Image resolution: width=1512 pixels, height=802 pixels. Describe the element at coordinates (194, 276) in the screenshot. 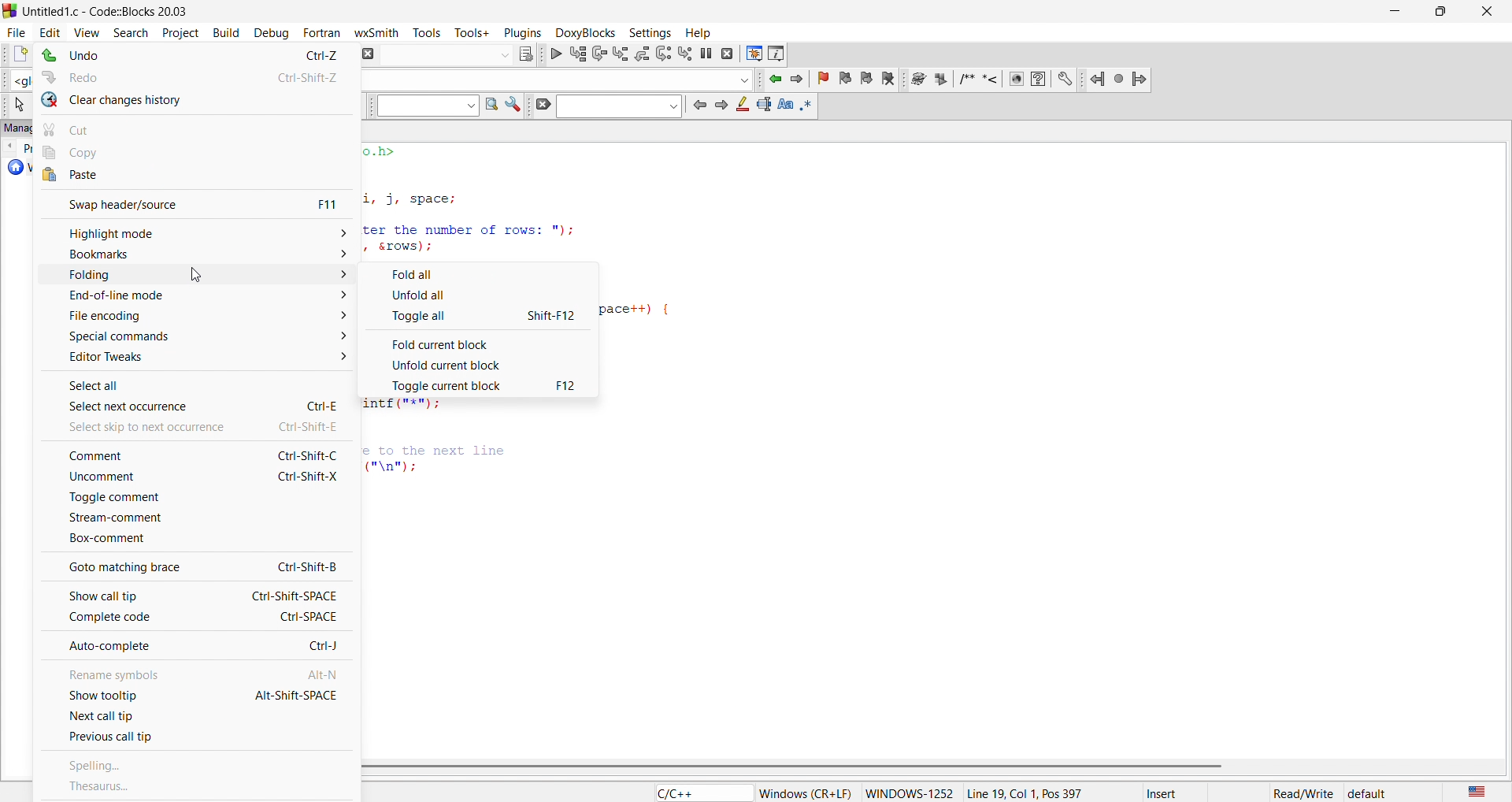

I see `cursor` at that location.